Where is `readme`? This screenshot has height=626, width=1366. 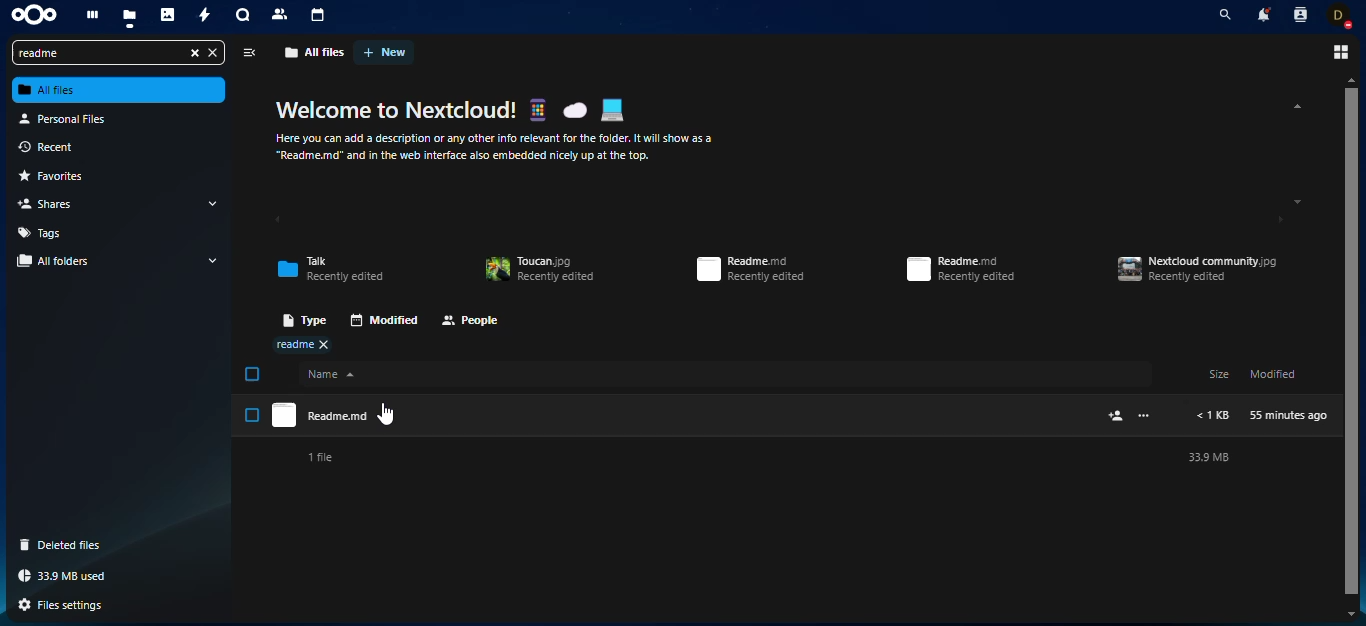
readme is located at coordinates (294, 345).